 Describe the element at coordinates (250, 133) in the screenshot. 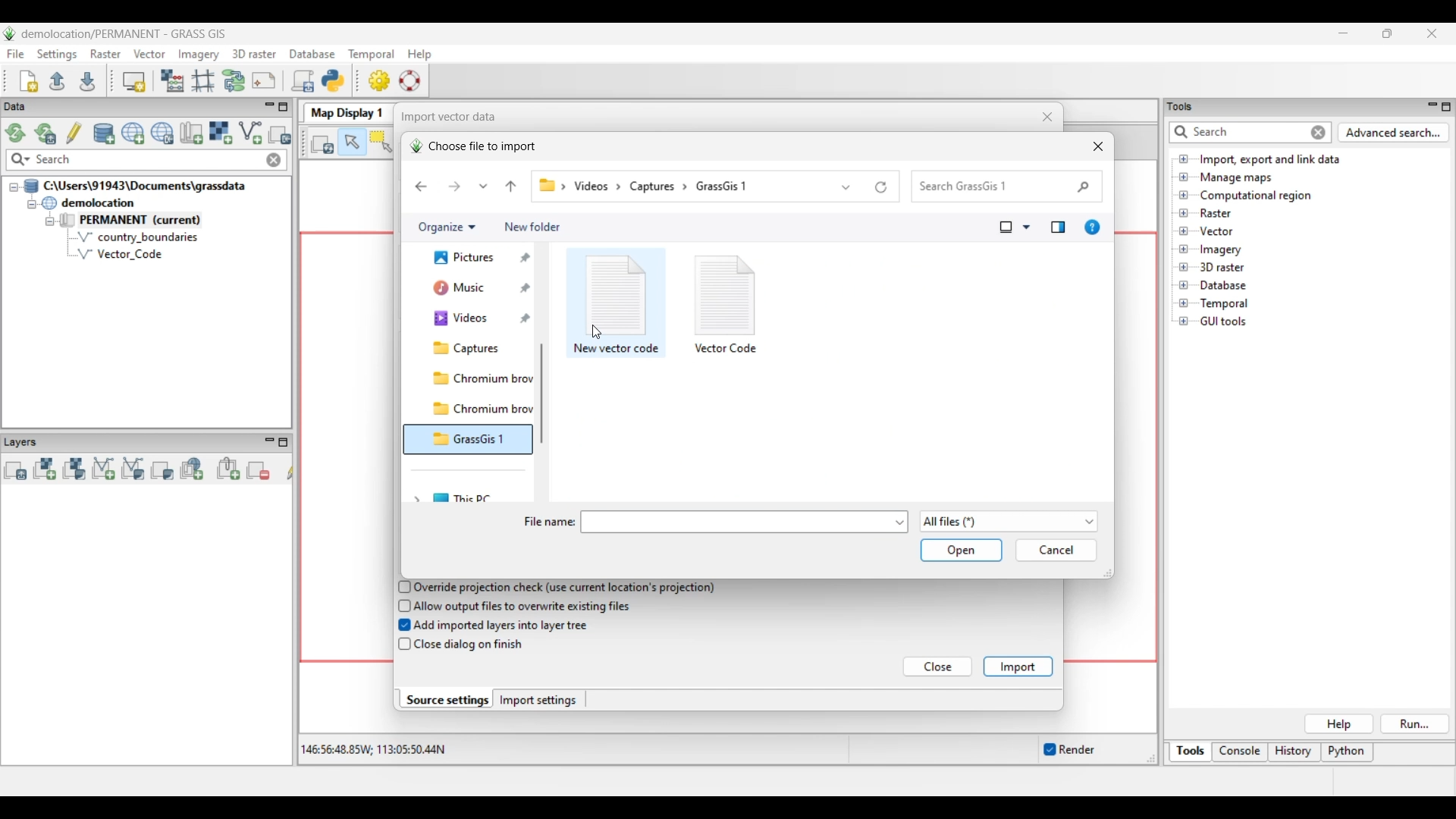

I see `Import vector data, current selection` at that location.